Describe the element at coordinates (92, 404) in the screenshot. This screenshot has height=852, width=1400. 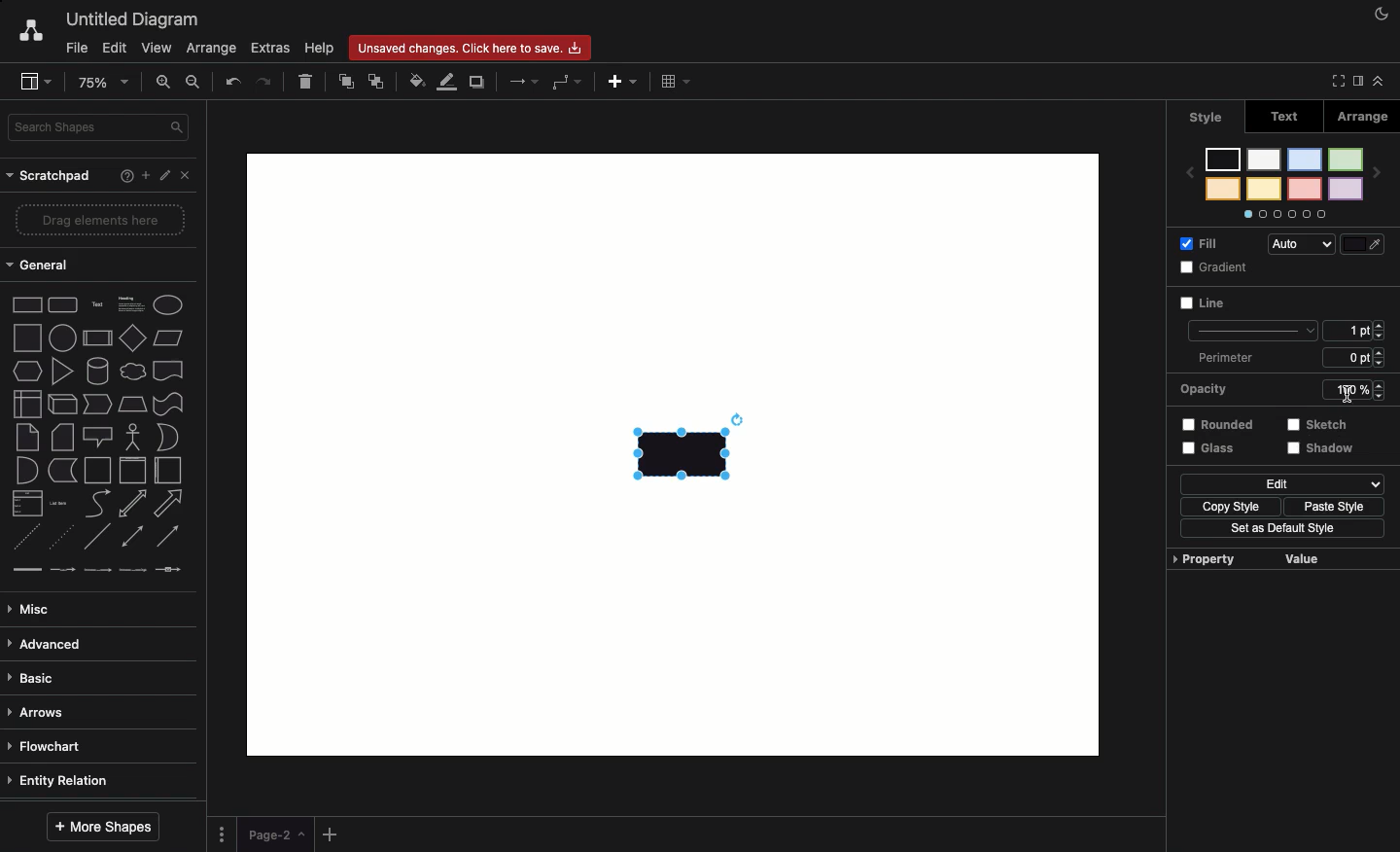
I see `step` at that location.